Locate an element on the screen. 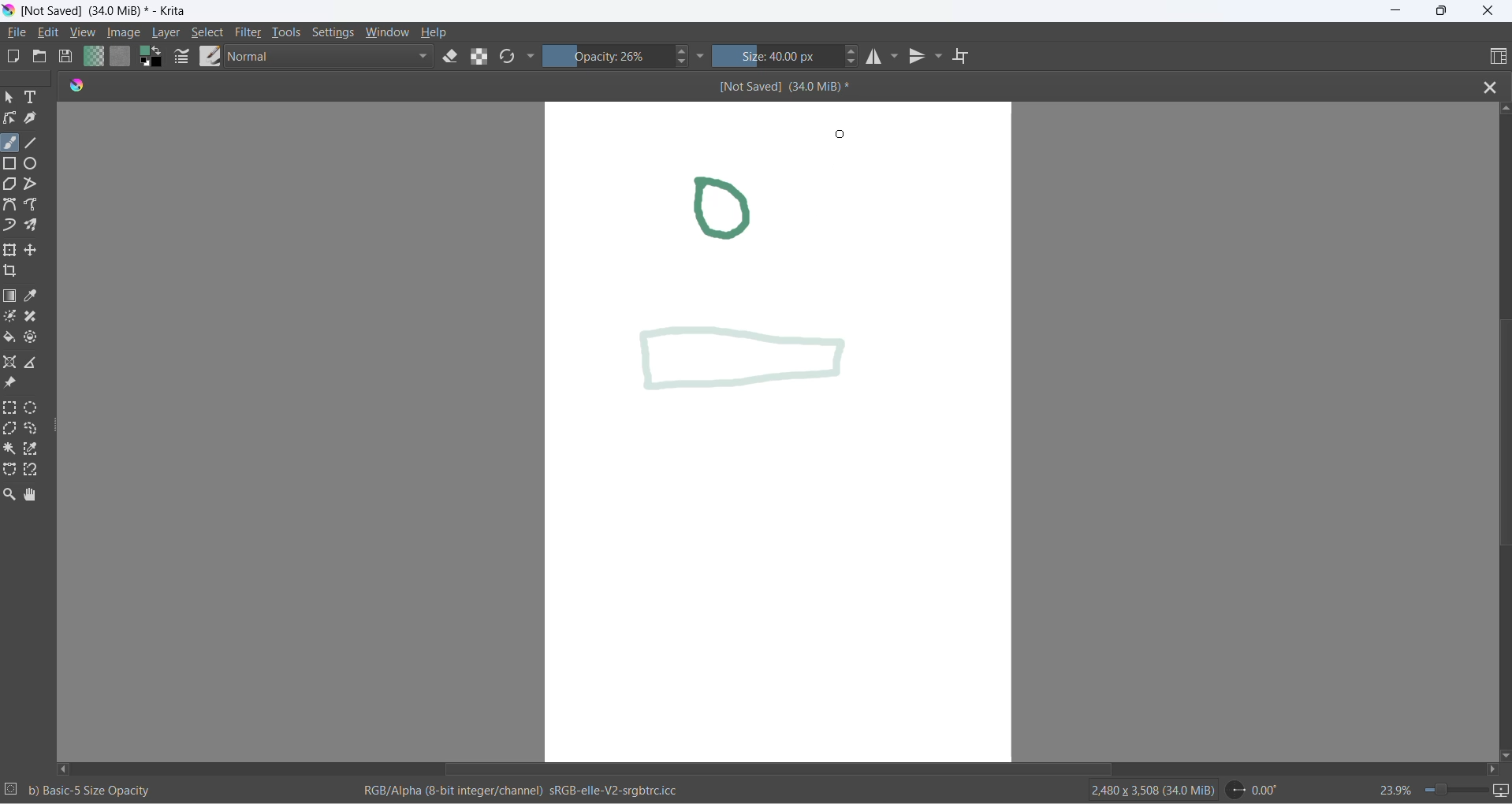  enclose and fill tool is located at coordinates (35, 336).